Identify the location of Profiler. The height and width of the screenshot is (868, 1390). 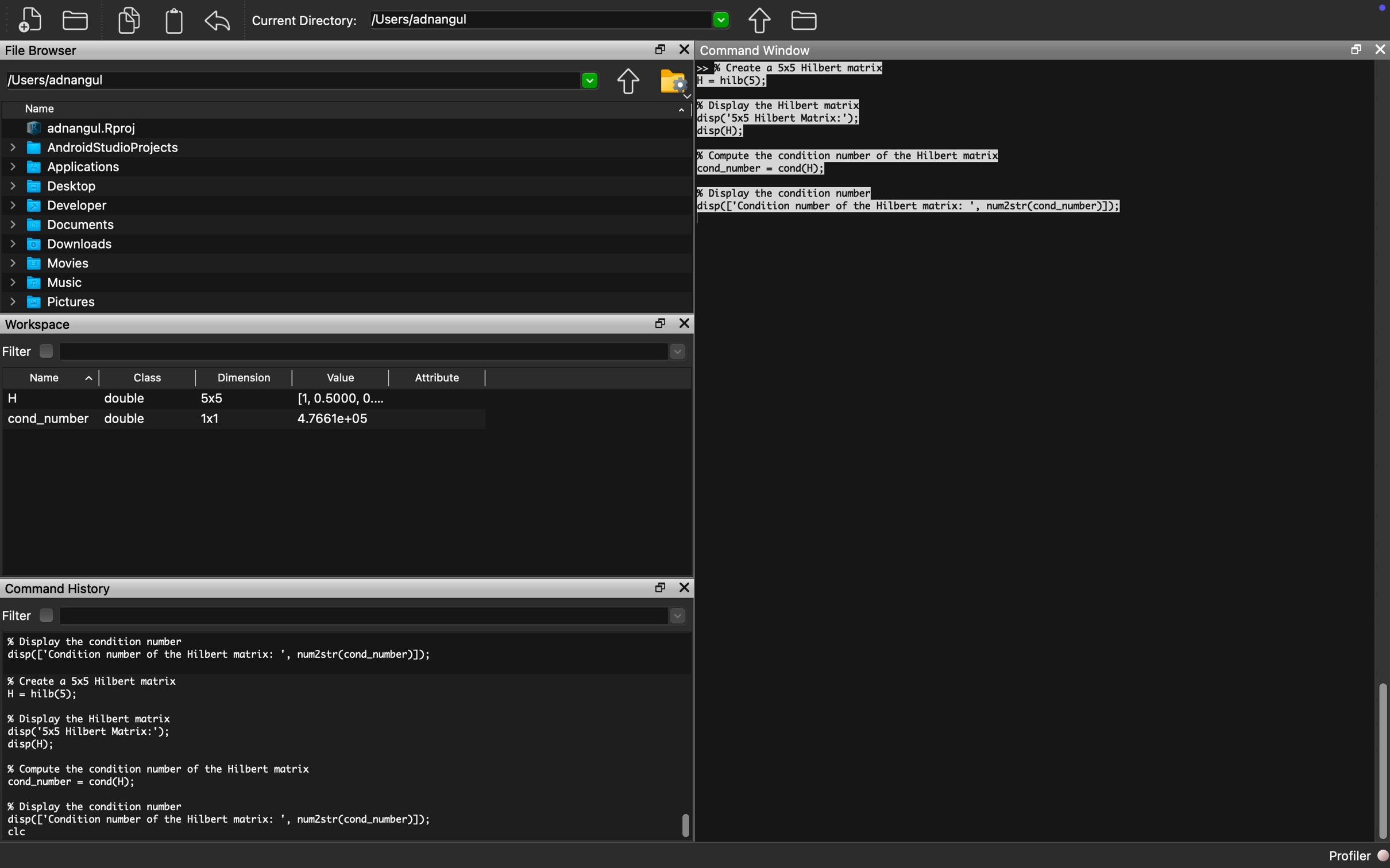
(1360, 856).